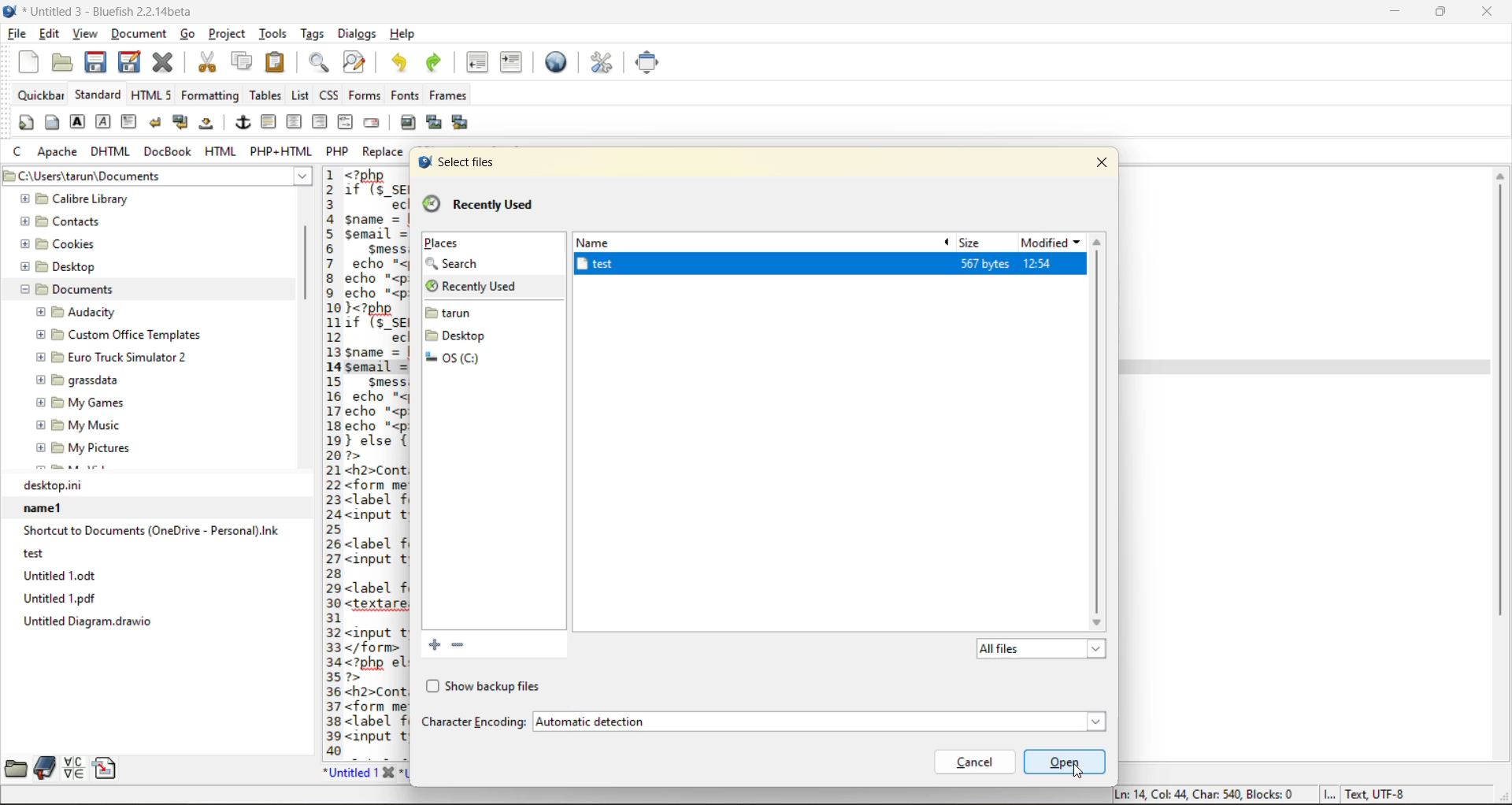 This screenshot has width=1512, height=805. I want to click on file size, so click(984, 264).